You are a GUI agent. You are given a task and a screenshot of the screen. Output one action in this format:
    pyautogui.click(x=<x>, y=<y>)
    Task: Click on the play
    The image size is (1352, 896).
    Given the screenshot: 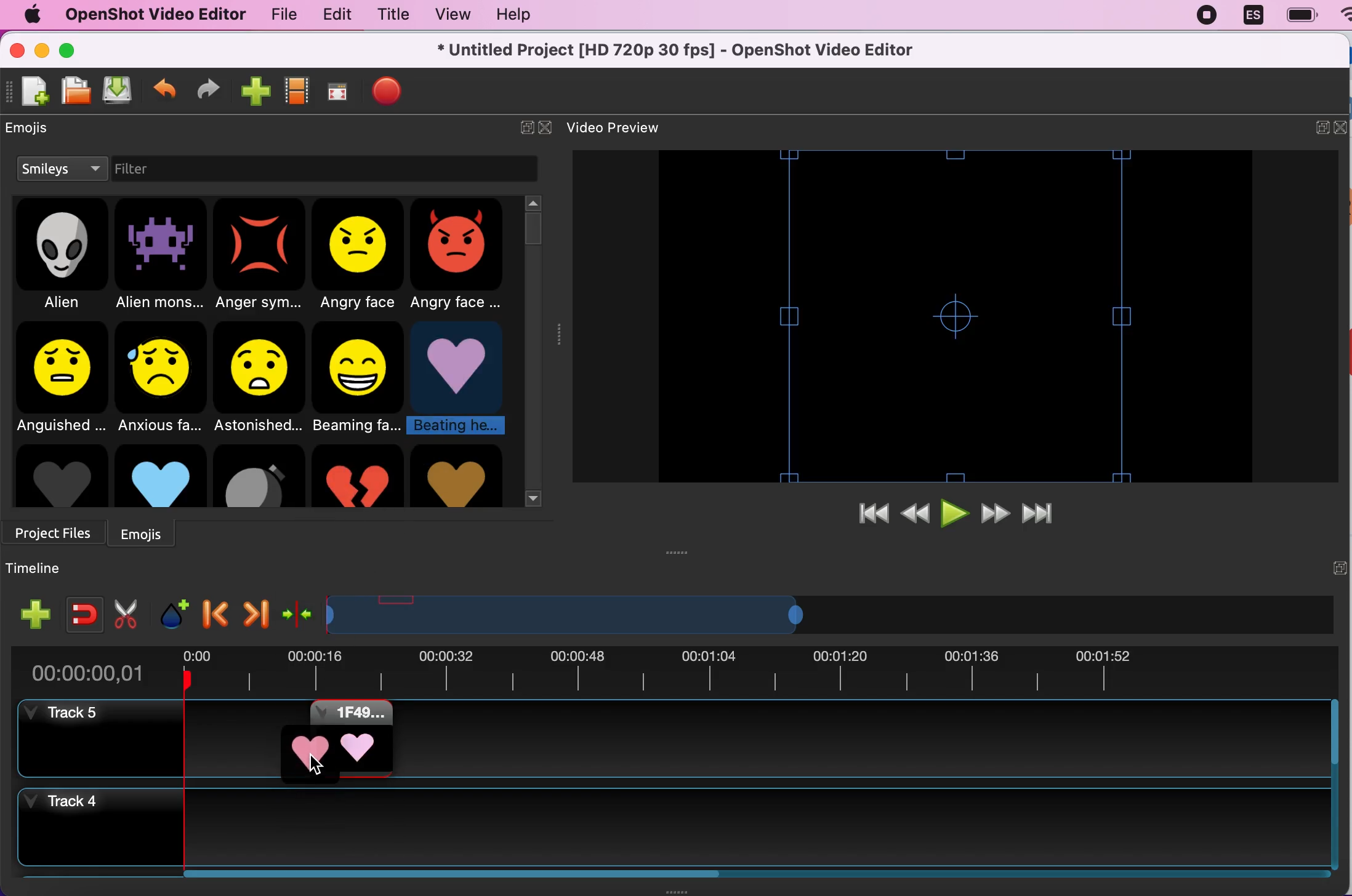 What is the action you would take?
    pyautogui.click(x=956, y=511)
    